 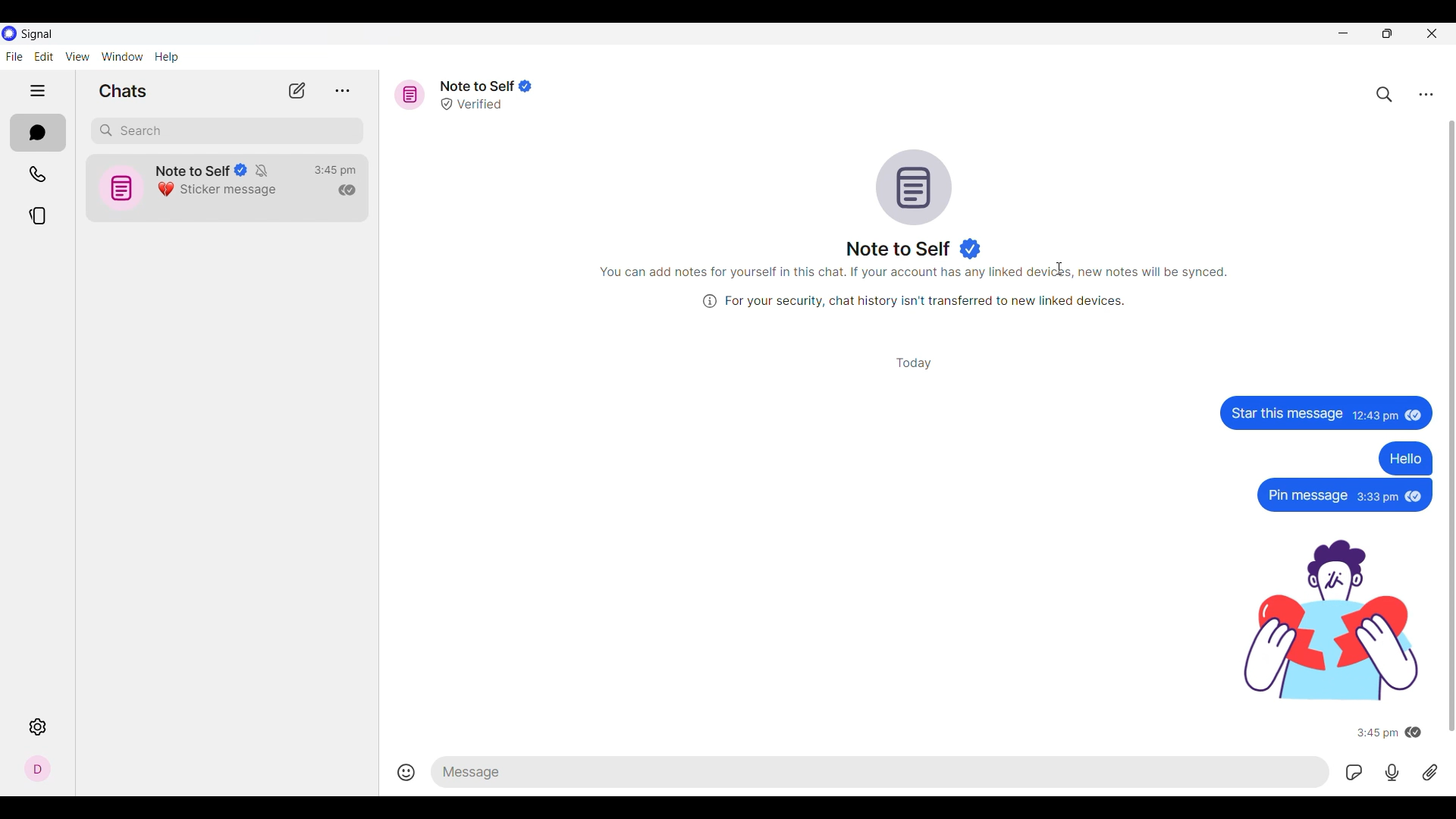 I want to click on Help menu, so click(x=167, y=58).